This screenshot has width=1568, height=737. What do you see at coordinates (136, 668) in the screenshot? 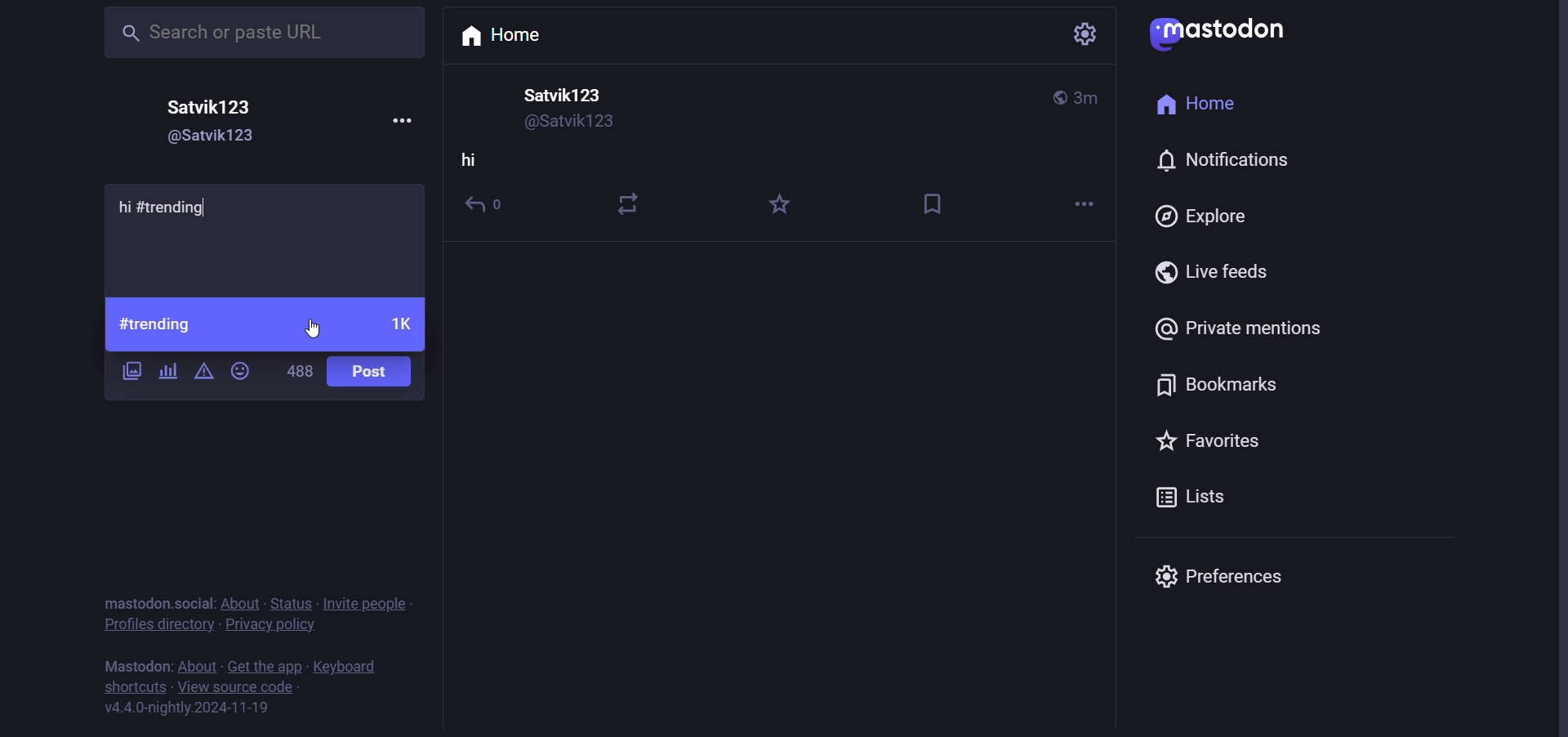
I see `text` at bounding box center [136, 668].